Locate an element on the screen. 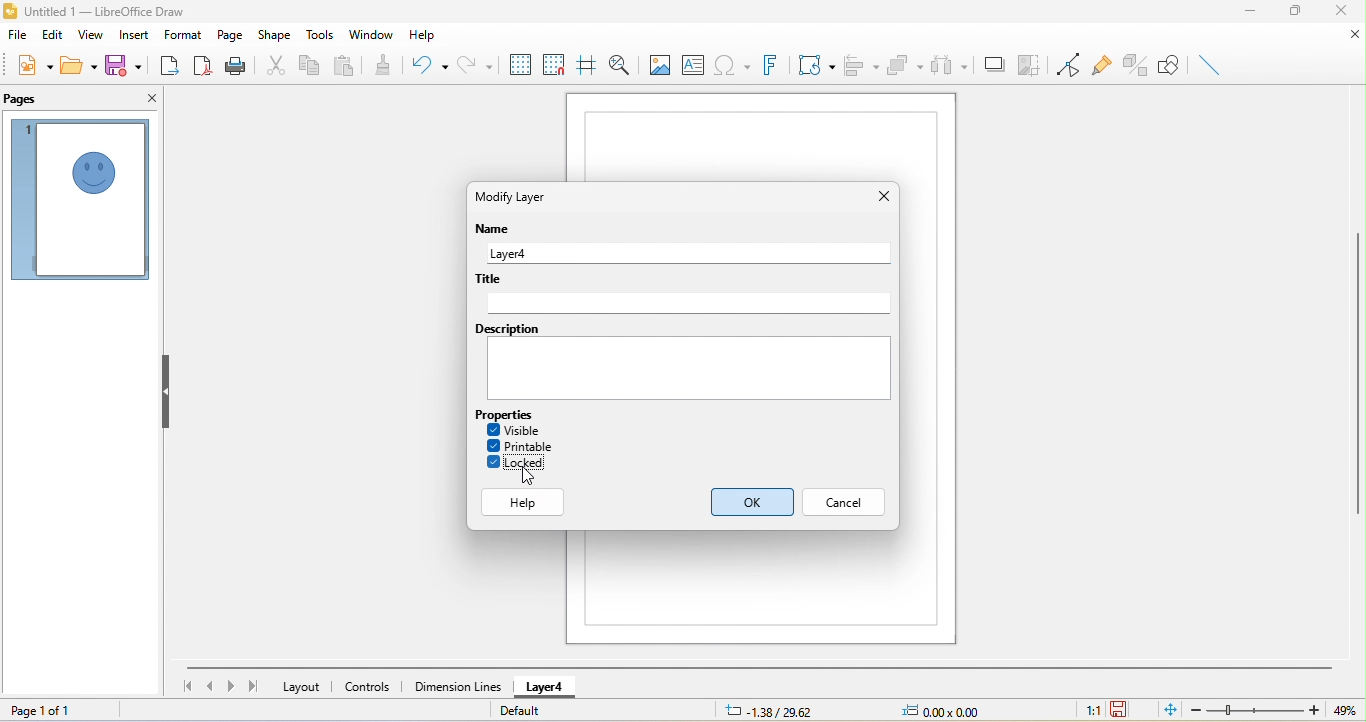 This screenshot has height=722, width=1366. hide is located at coordinates (168, 393).